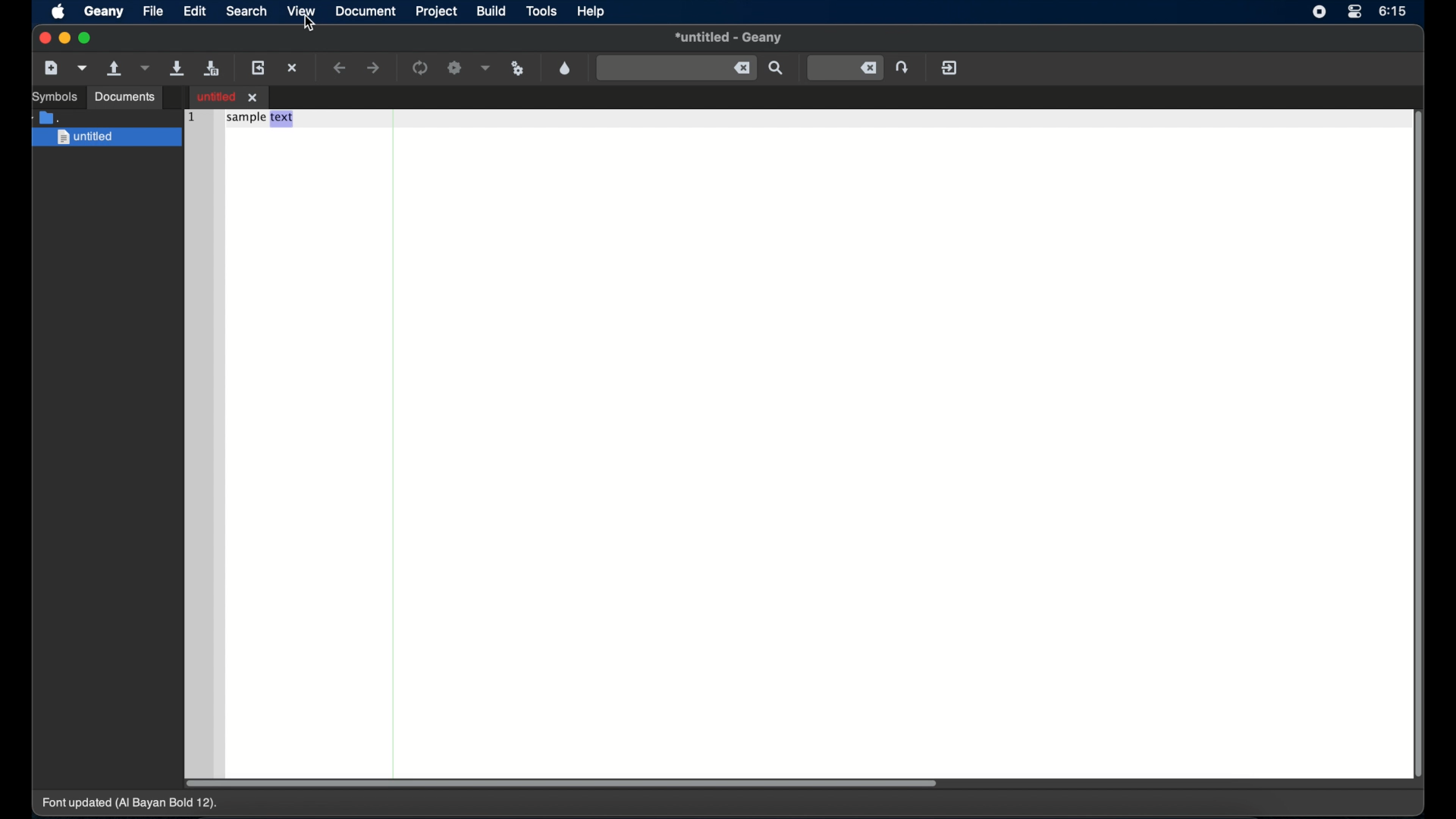 Image resolution: width=1456 pixels, height=819 pixels. I want to click on symbols, so click(55, 97).